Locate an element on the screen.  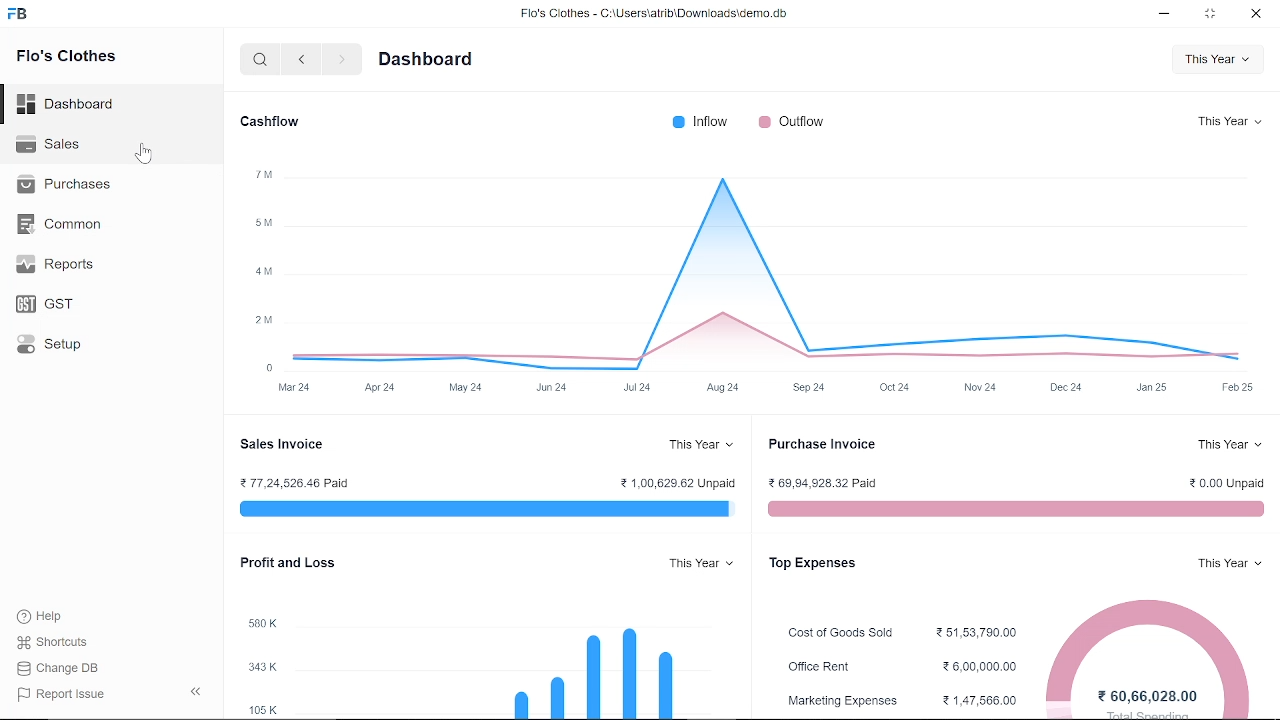
Outflow is located at coordinates (792, 122).